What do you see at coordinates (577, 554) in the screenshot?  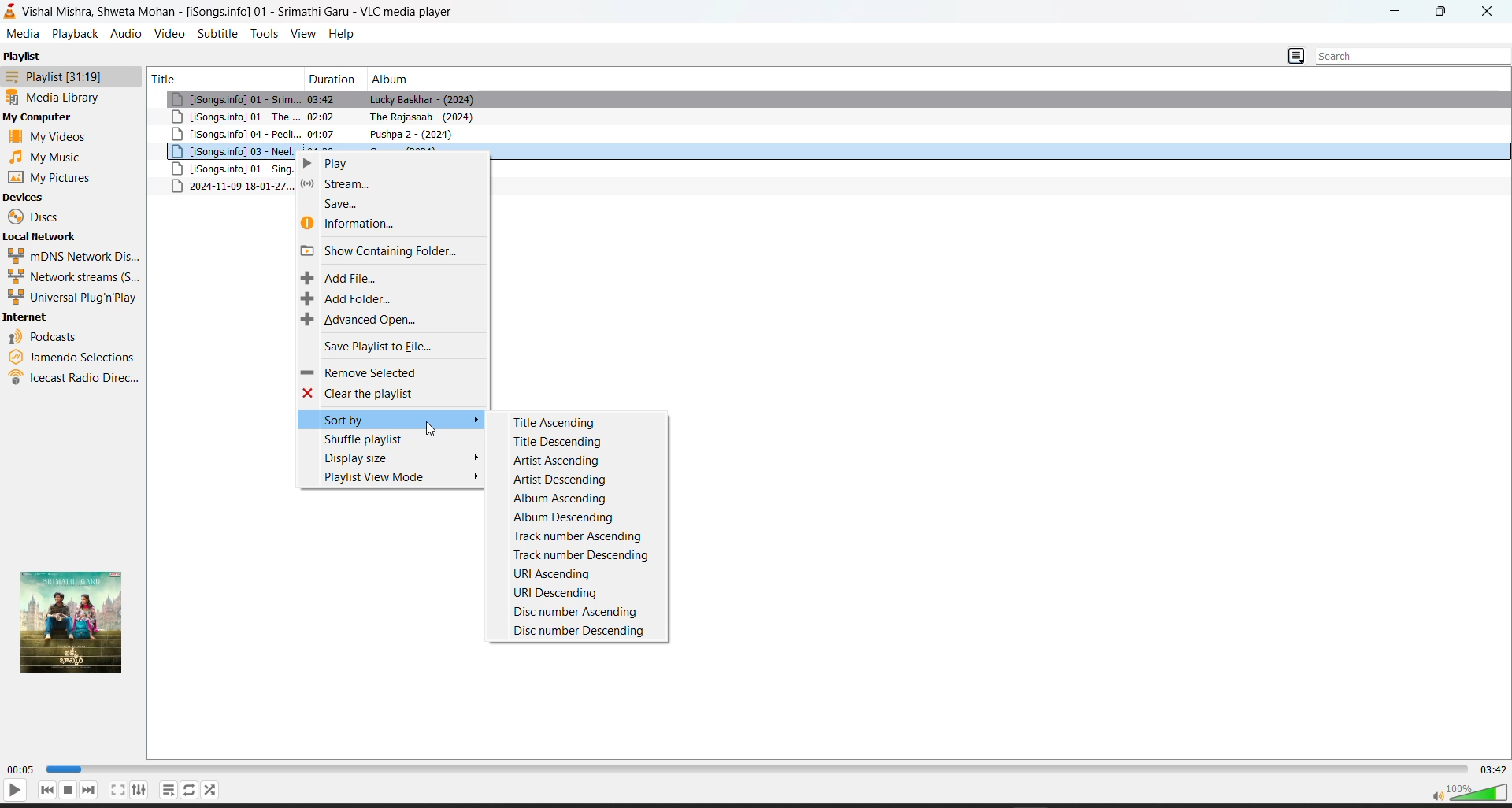 I see `track number descending` at bounding box center [577, 554].